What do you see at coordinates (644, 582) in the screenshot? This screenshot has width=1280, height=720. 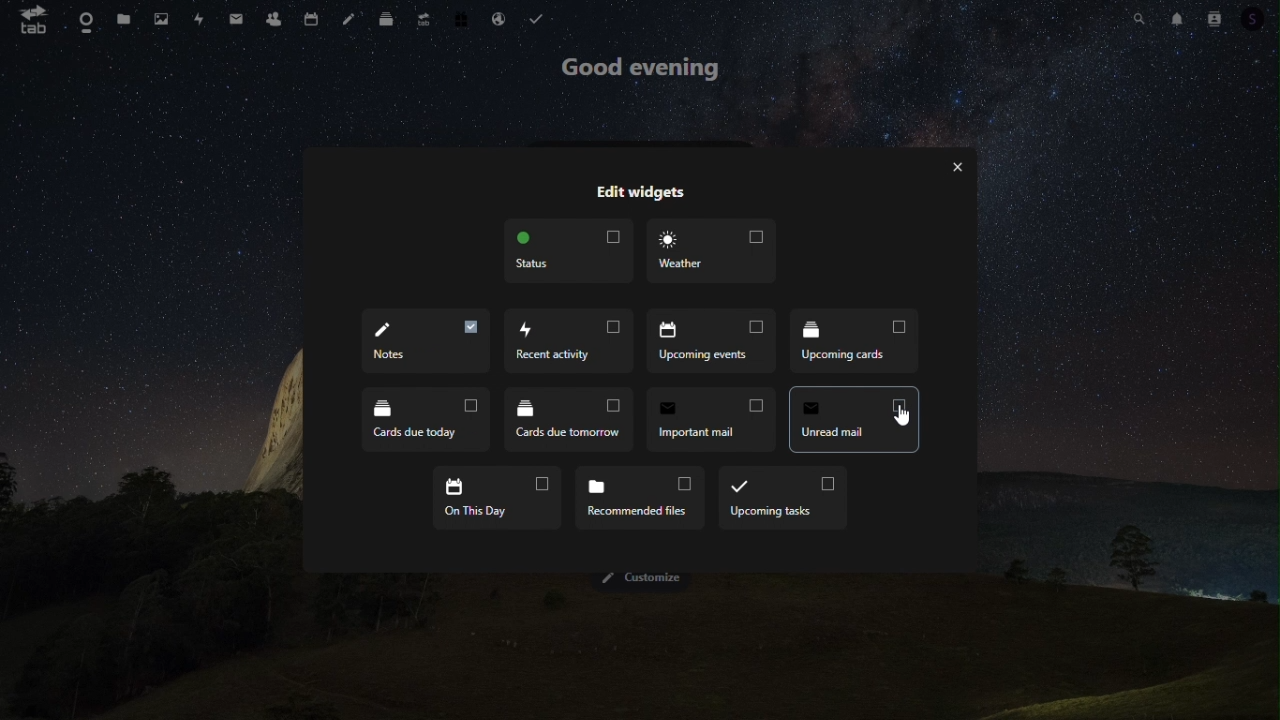 I see `Customize` at bounding box center [644, 582].